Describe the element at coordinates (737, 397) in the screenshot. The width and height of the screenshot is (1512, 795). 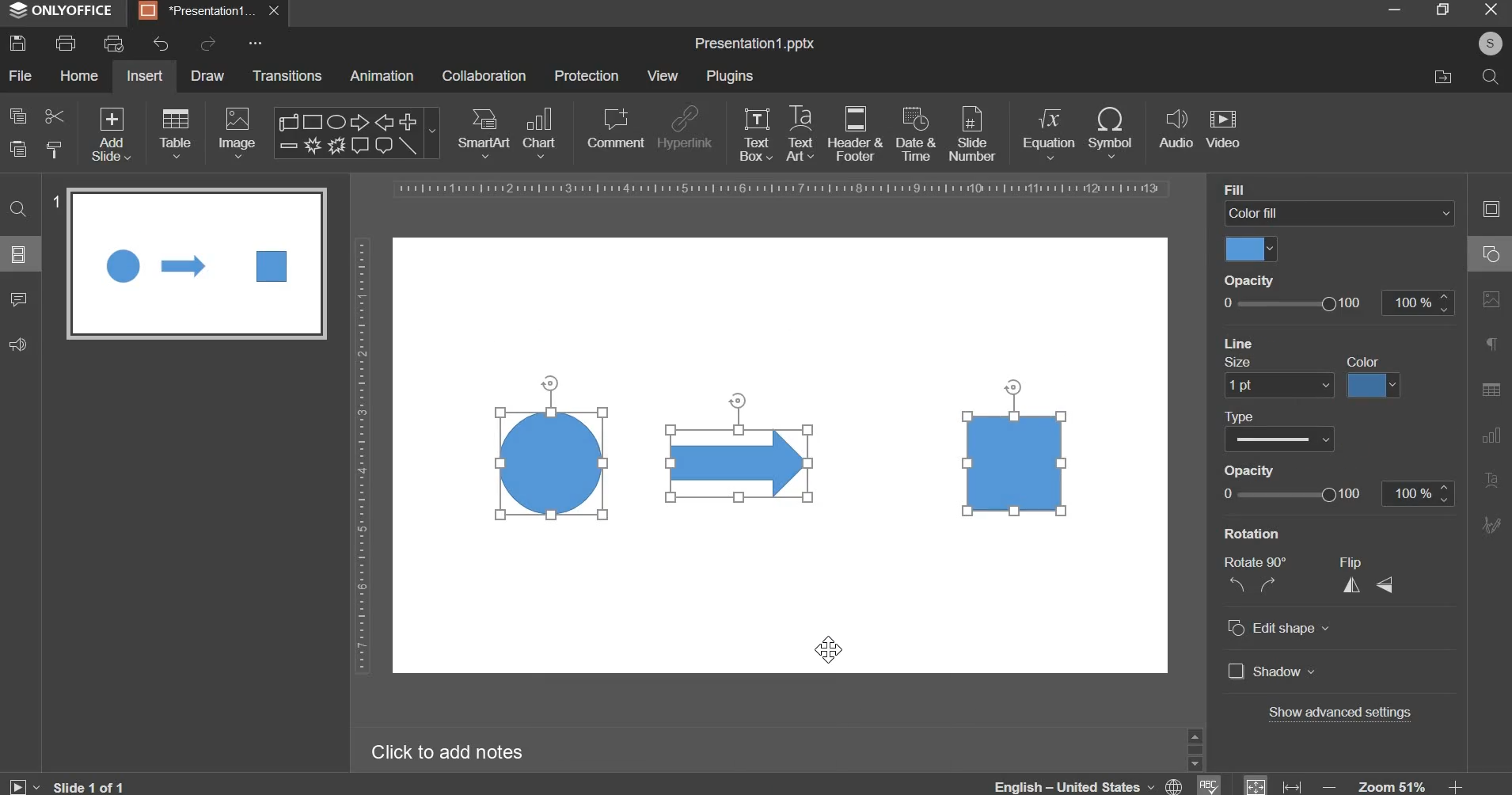
I see `rotate` at that location.